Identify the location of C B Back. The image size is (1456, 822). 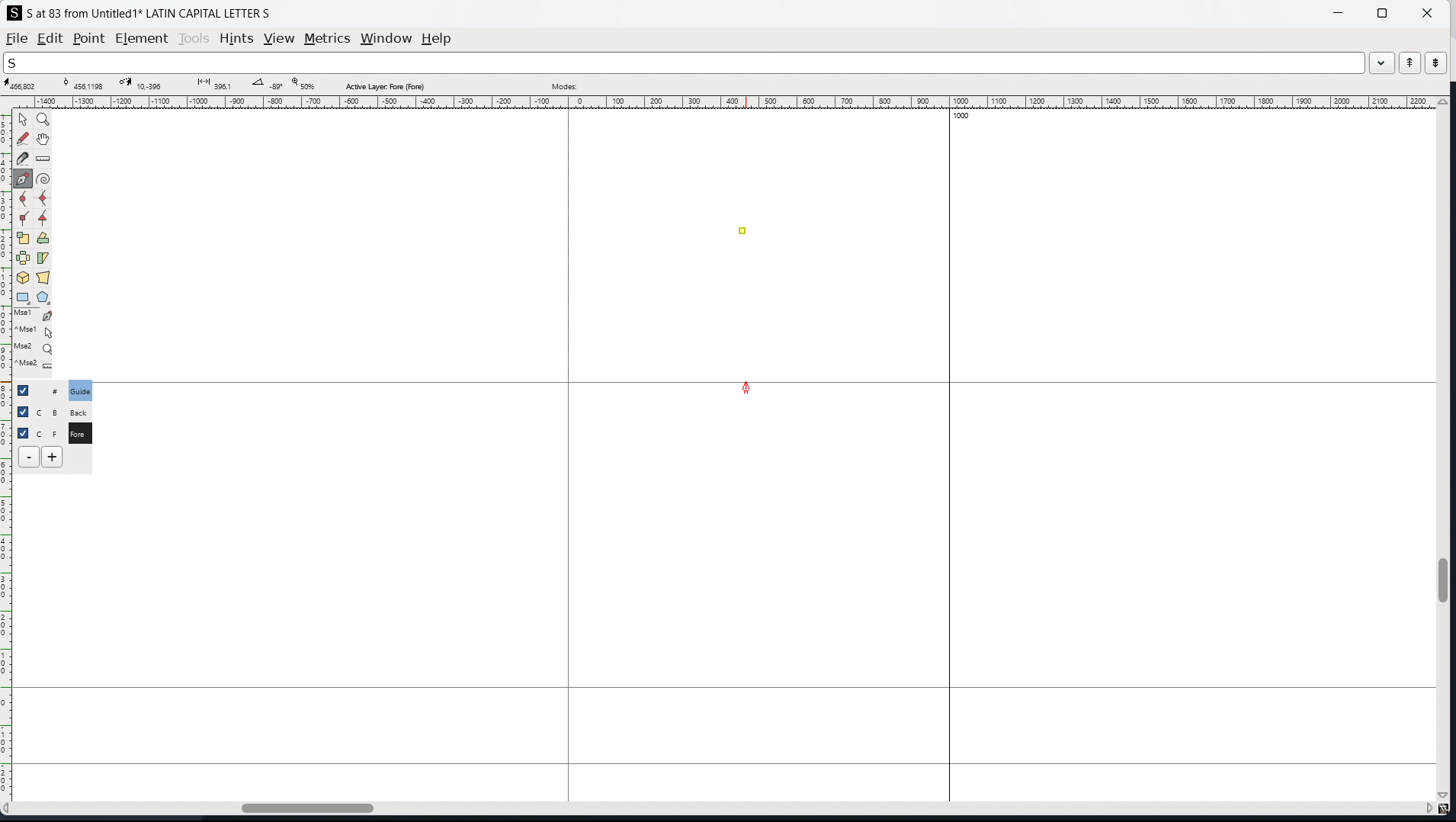
(78, 410).